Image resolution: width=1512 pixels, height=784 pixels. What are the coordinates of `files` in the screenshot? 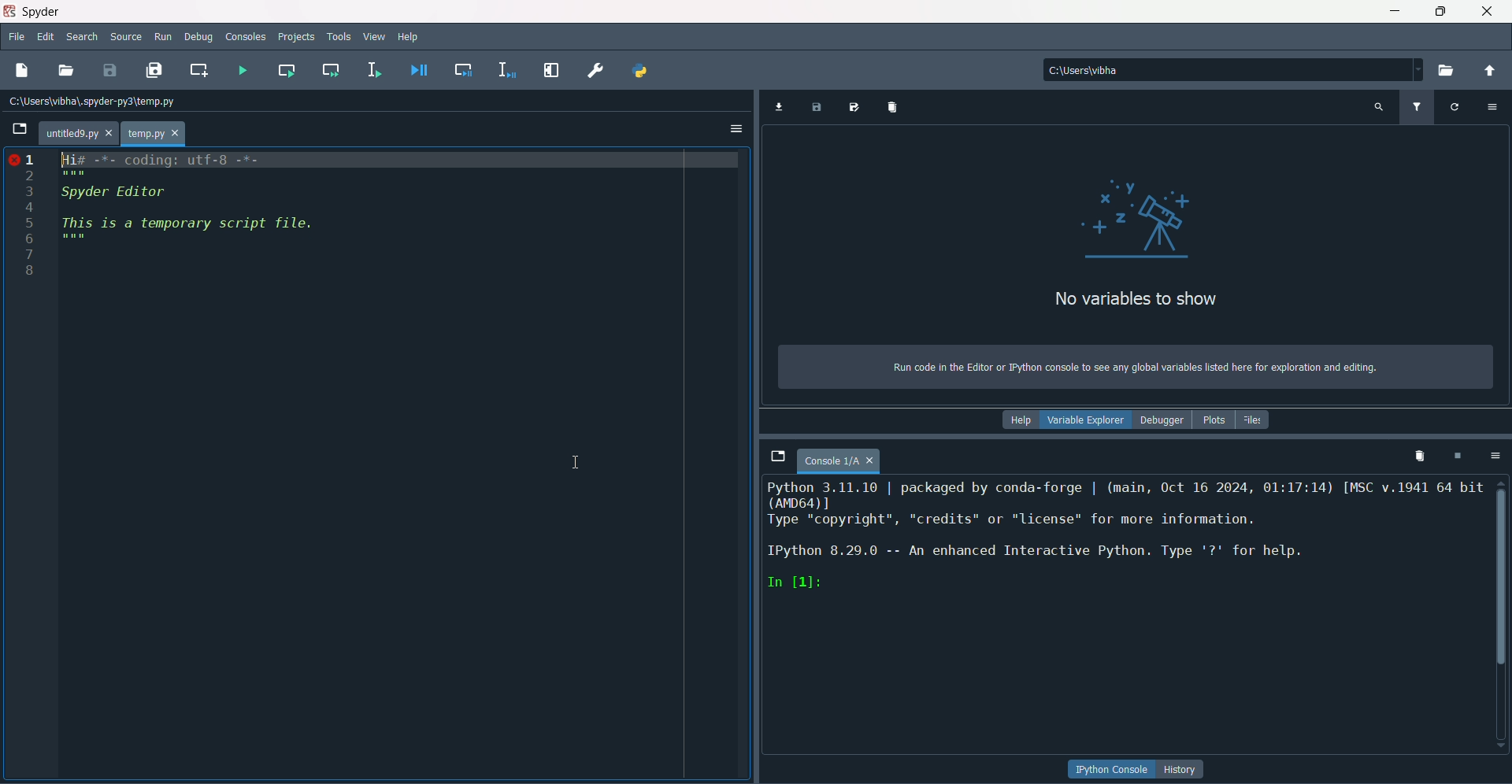 It's located at (1254, 419).